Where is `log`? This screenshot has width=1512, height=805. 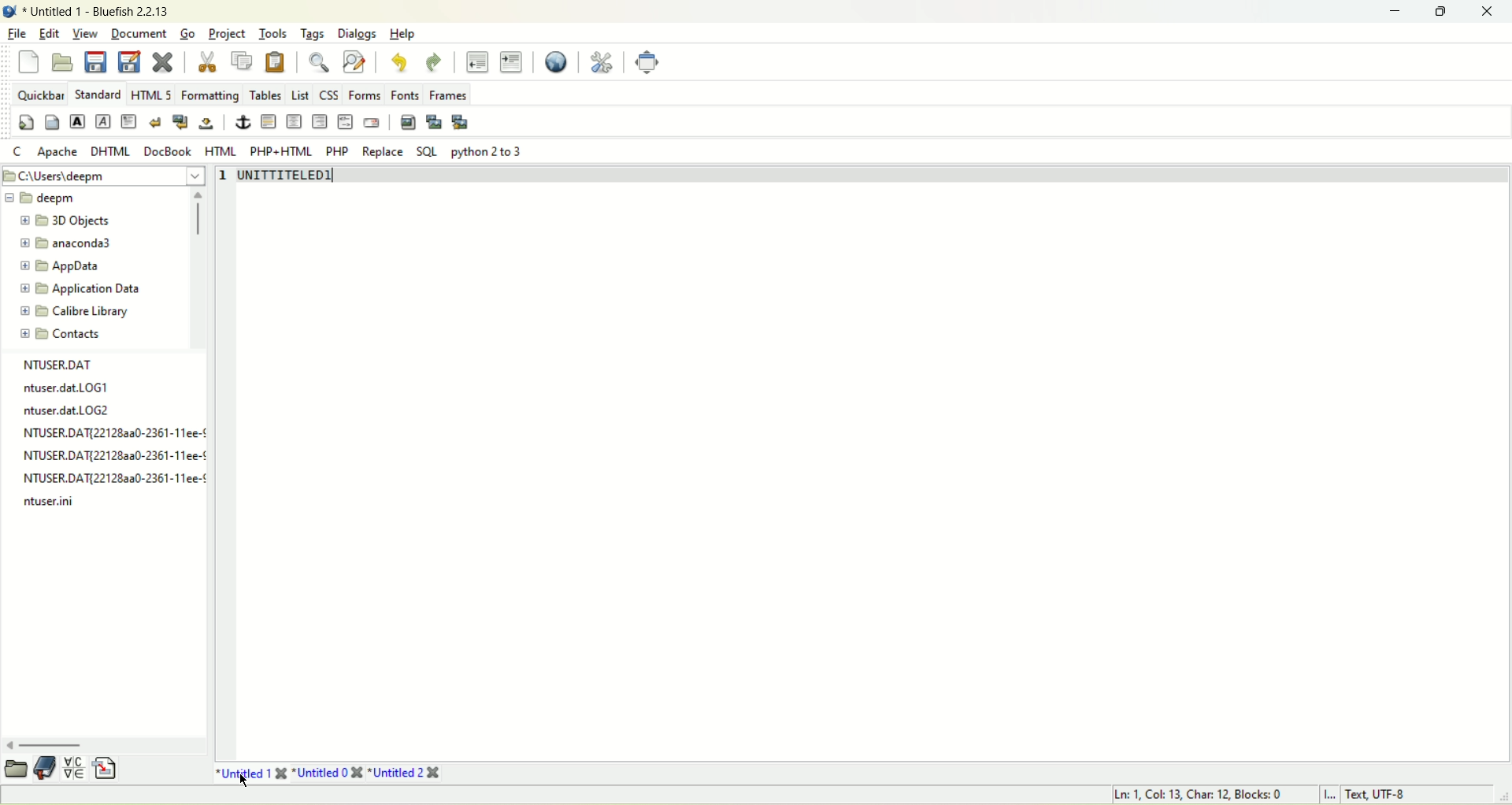 log is located at coordinates (72, 412).